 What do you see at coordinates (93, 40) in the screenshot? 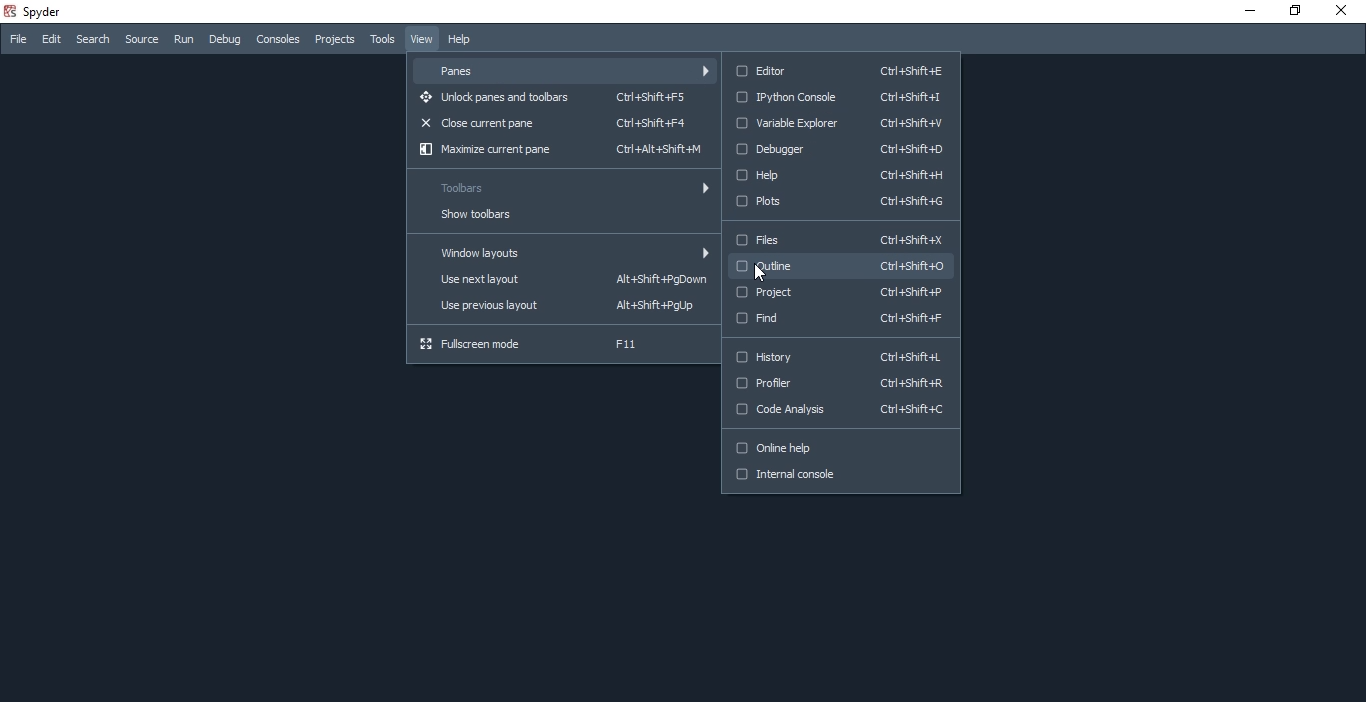
I see `search` at bounding box center [93, 40].